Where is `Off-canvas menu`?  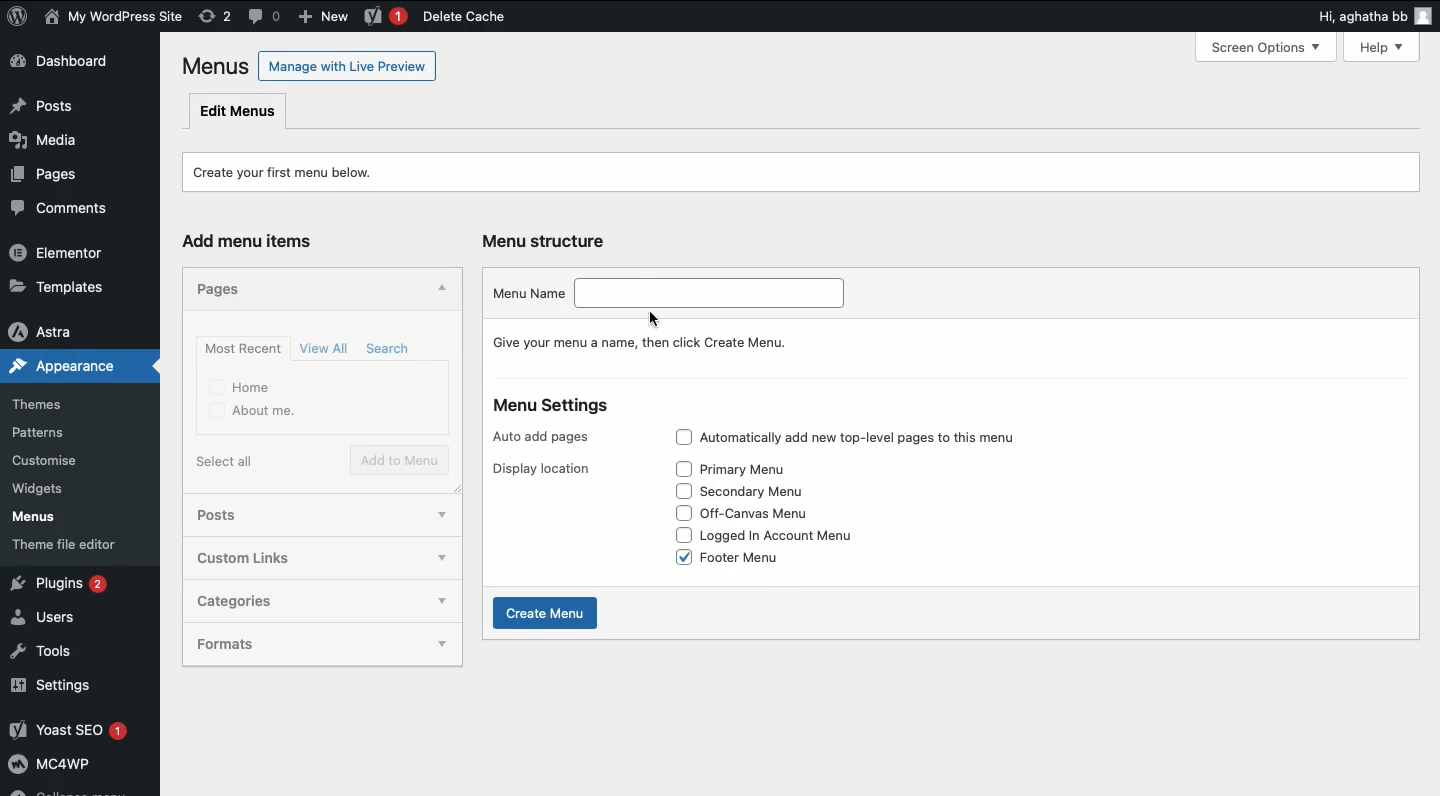 Off-canvas menu is located at coordinates (773, 514).